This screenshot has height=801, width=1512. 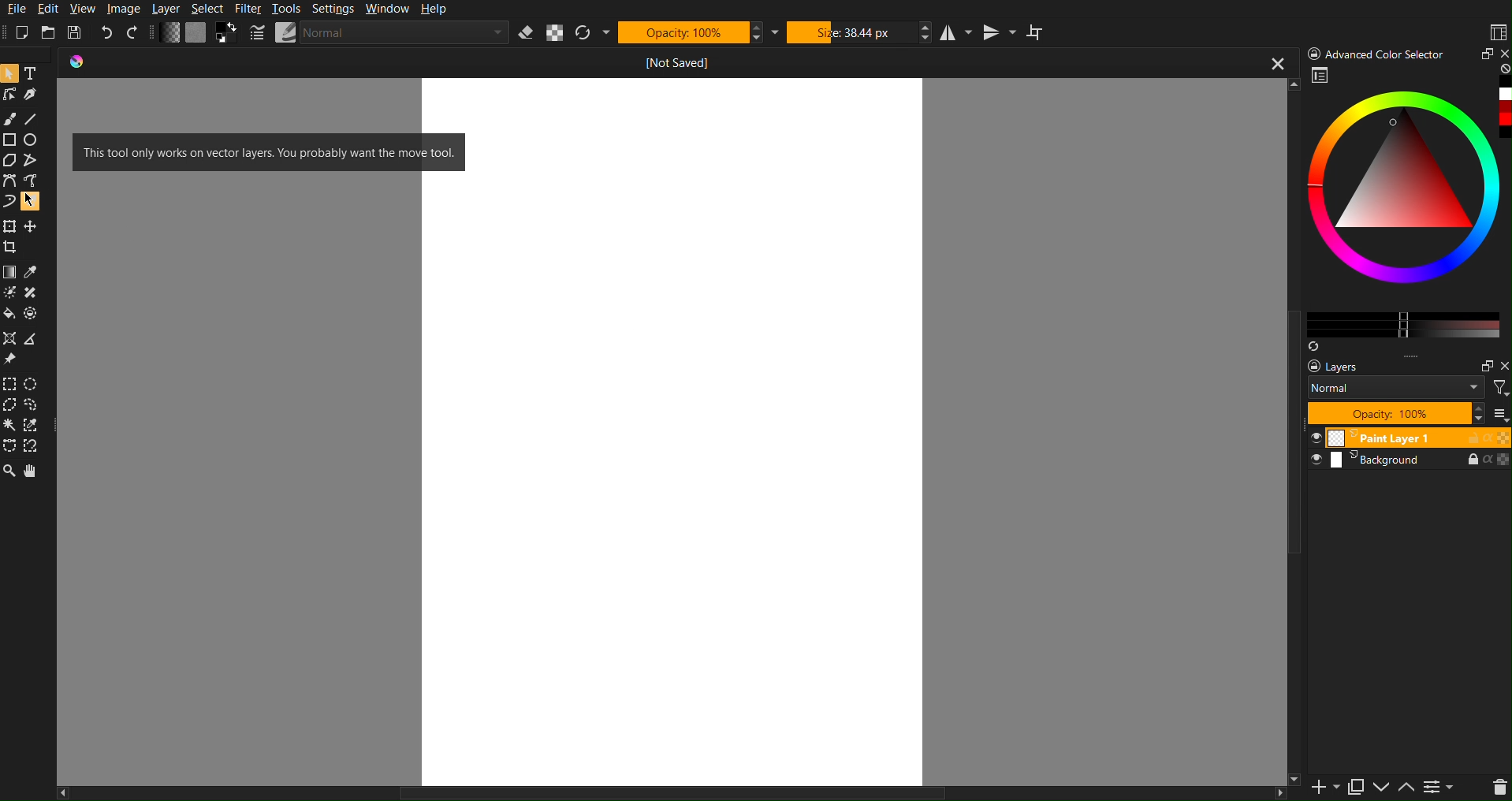 What do you see at coordinates (556, 34) in the screenshot?
I see `Alpha` at bounding box center [556, 34].